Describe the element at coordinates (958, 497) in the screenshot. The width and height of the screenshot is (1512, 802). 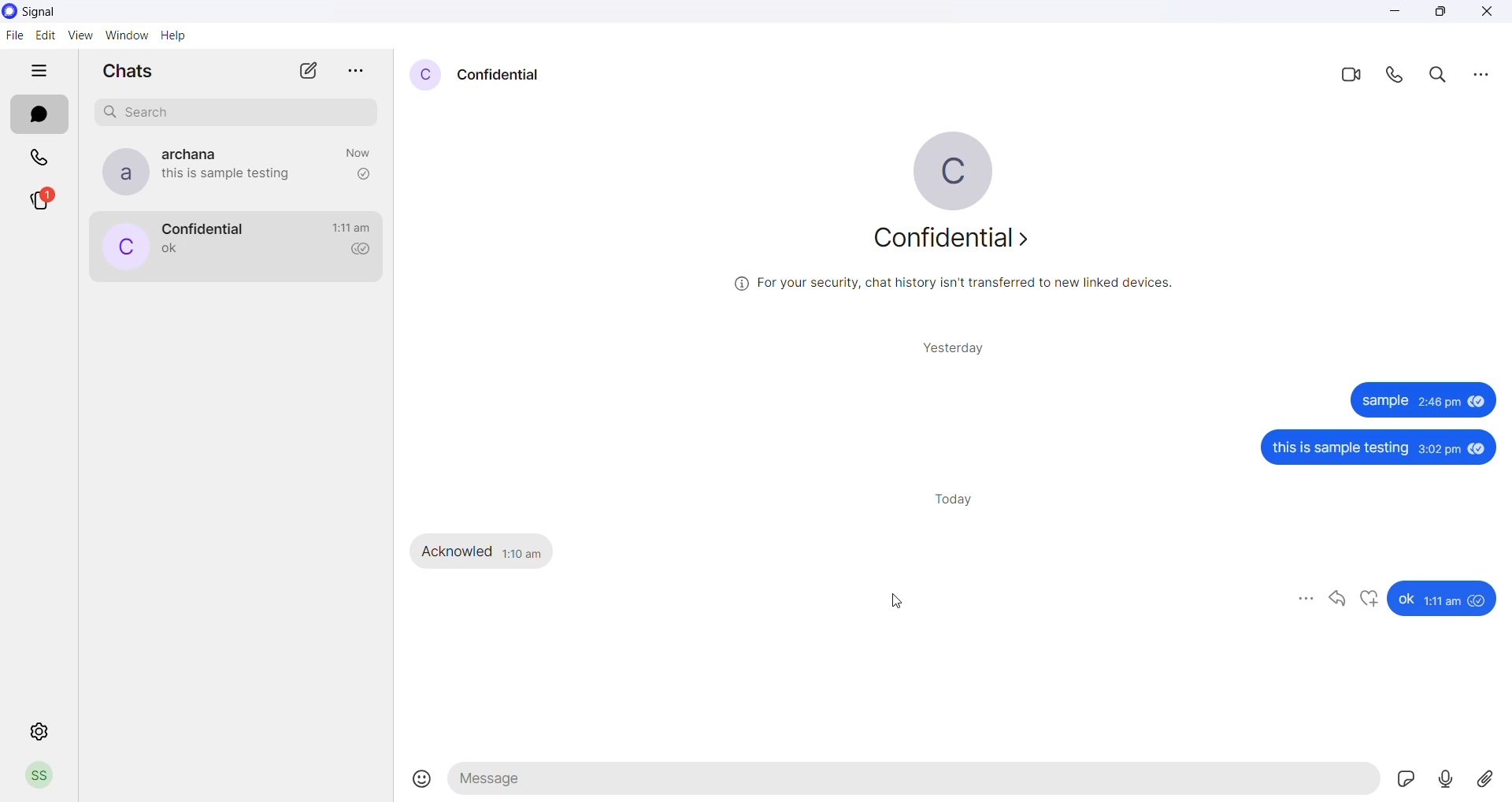
I see `today messages heading` at that location.